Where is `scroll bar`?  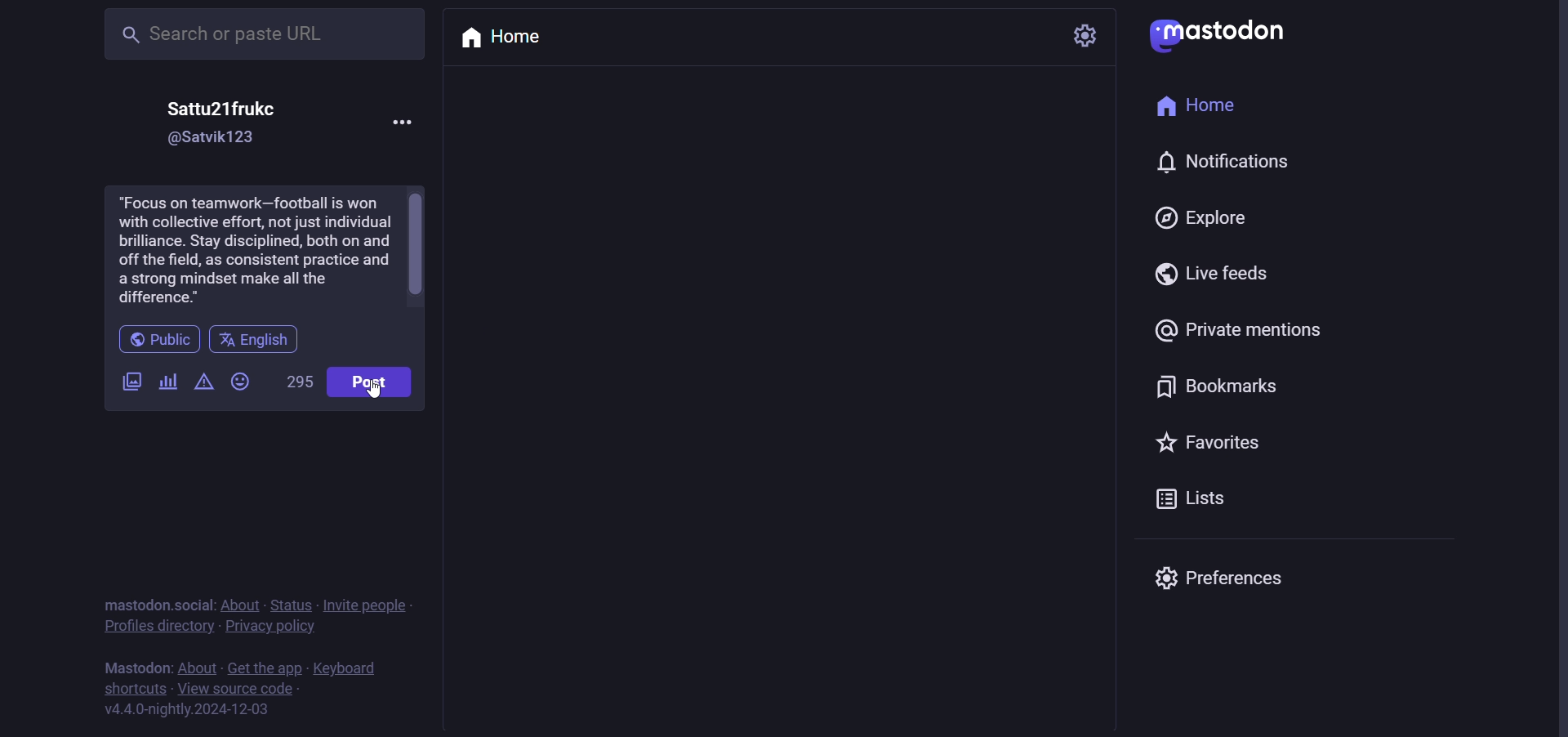 scroll bar is located at coordinates (420, 248).